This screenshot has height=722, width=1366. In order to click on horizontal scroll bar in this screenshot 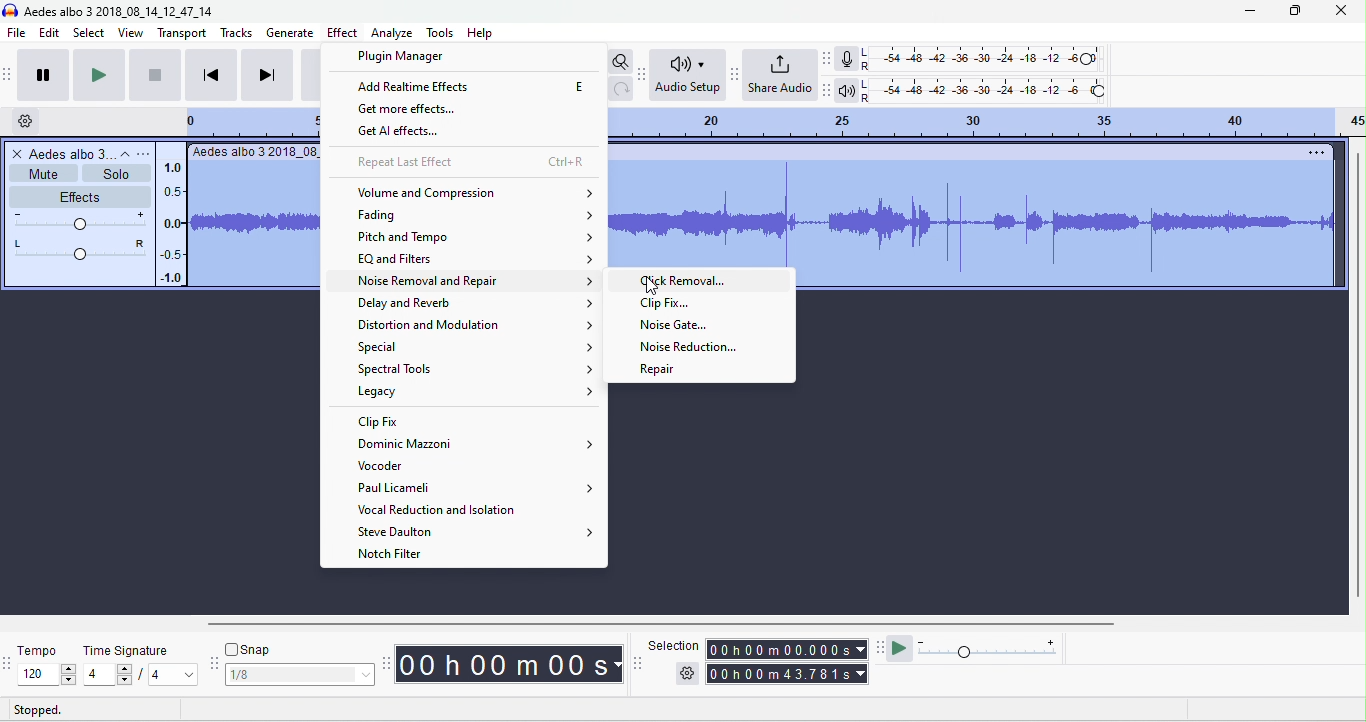, I will do `click(643, 625)`.